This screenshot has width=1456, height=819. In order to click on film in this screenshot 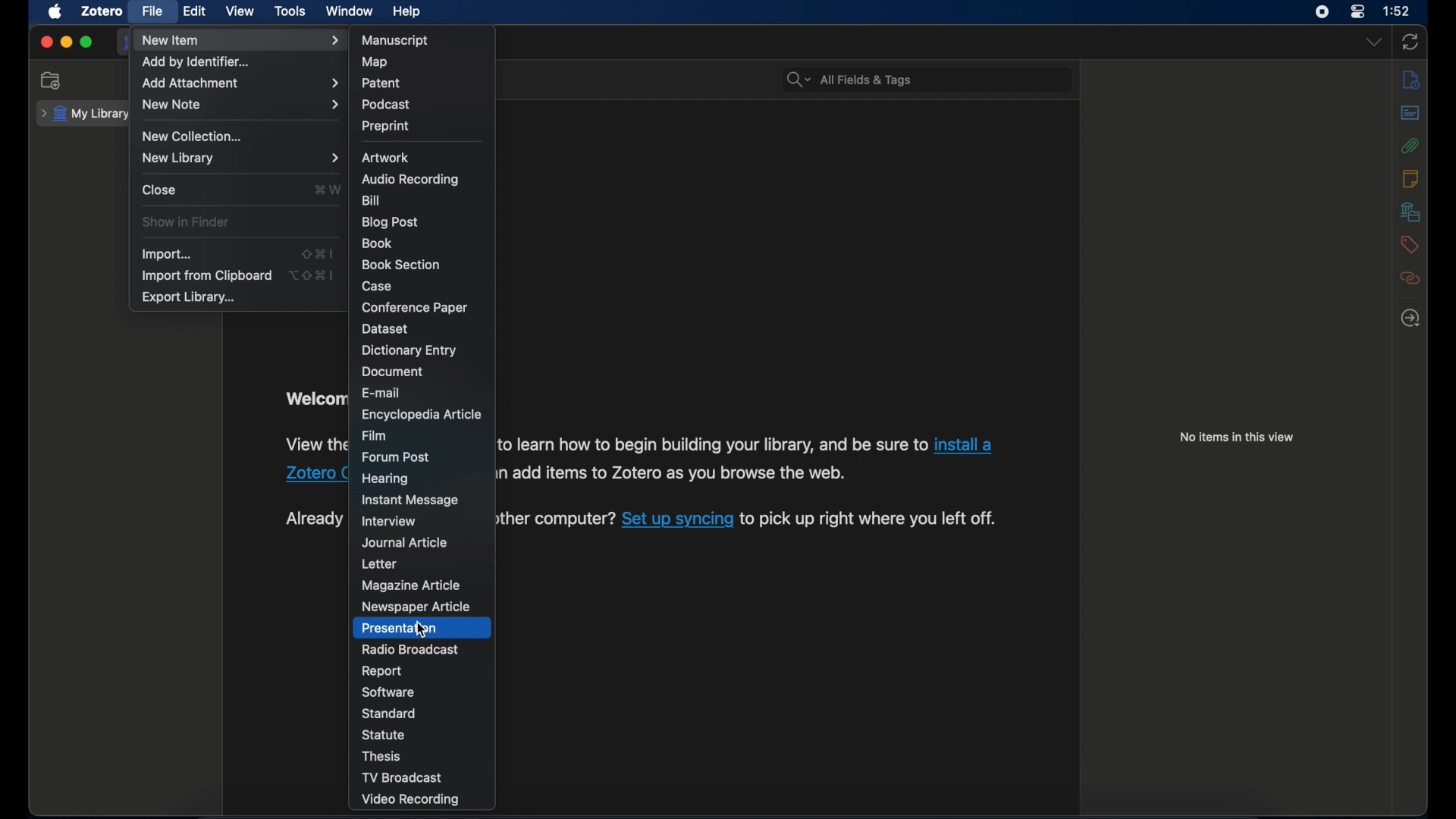, I will do `click(373, 435)`.